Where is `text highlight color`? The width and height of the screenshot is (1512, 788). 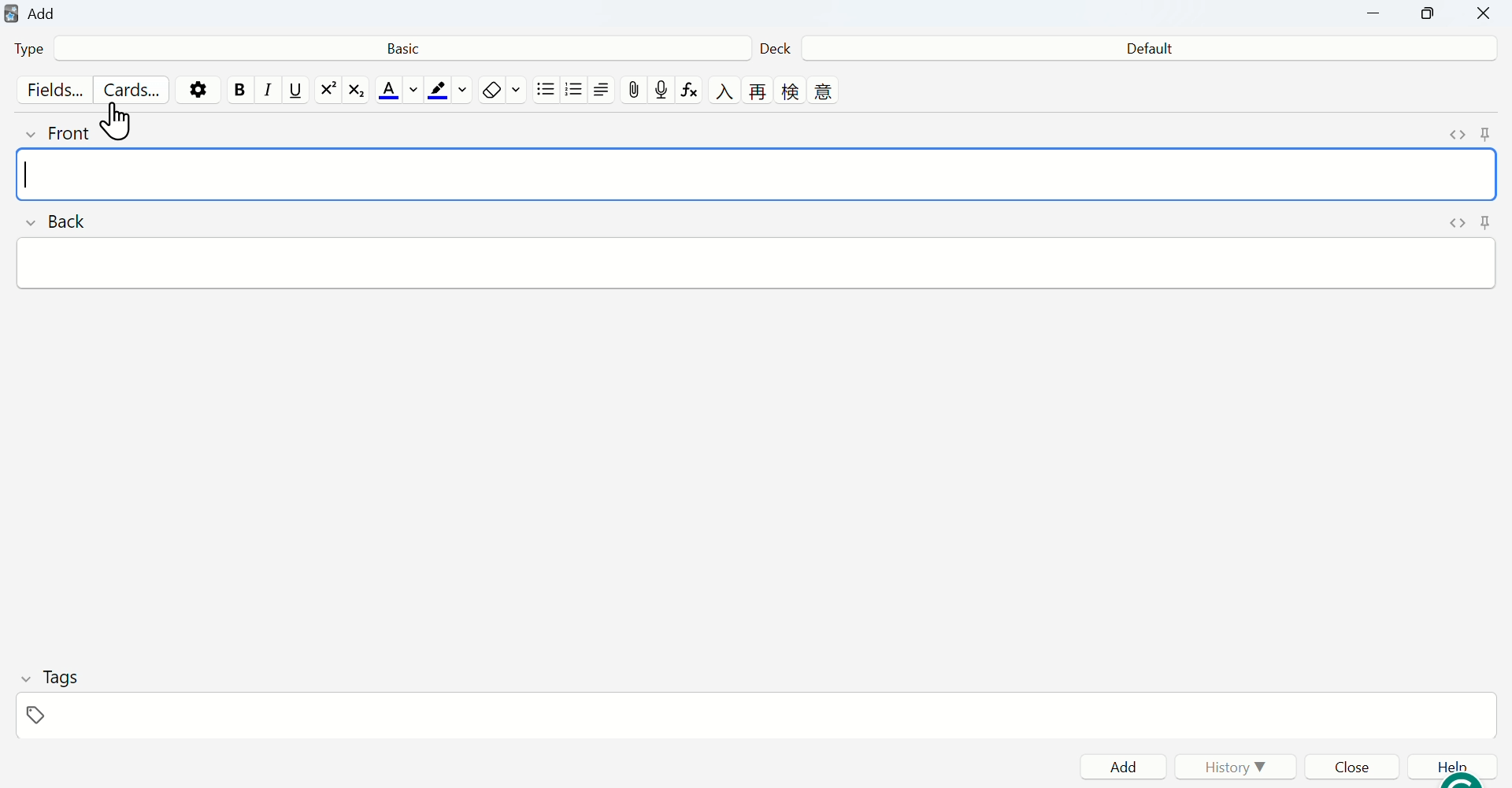
text highlight color is located at coordinates (438, 90).